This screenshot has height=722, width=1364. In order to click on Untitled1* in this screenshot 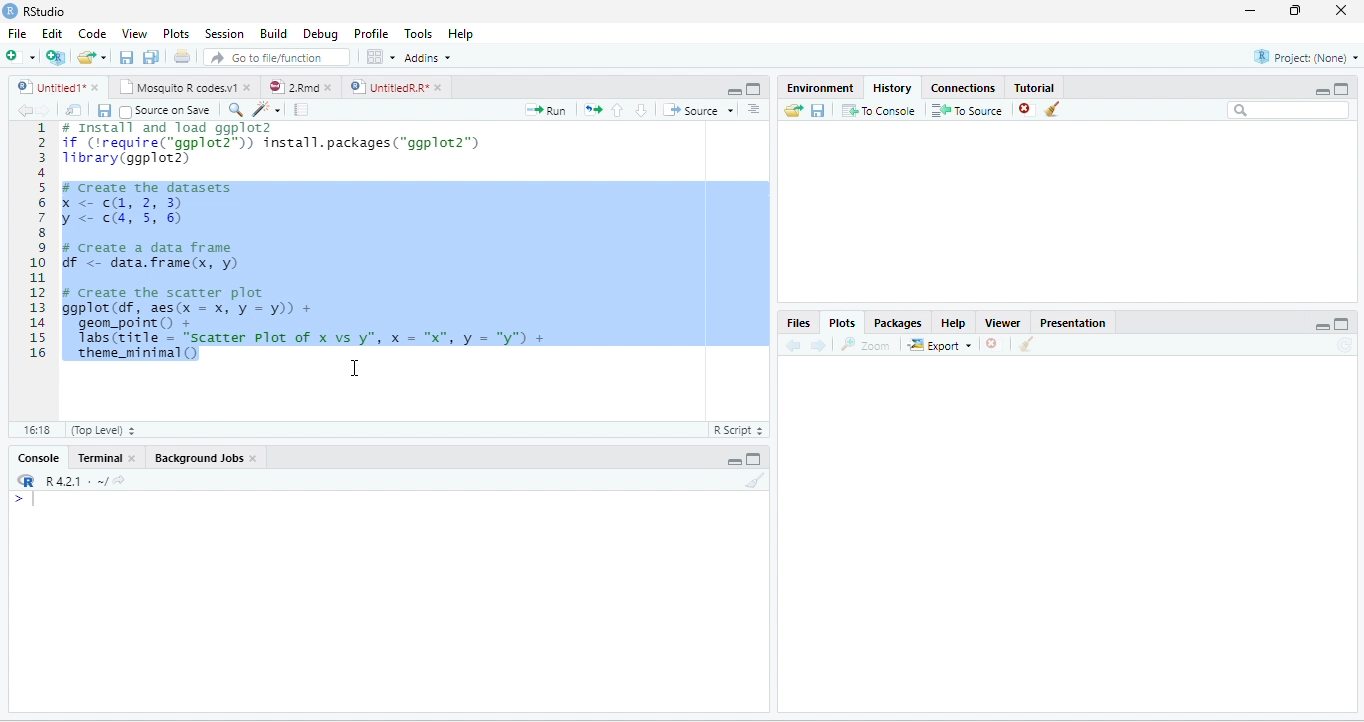, I will do `click(48, 87)`.